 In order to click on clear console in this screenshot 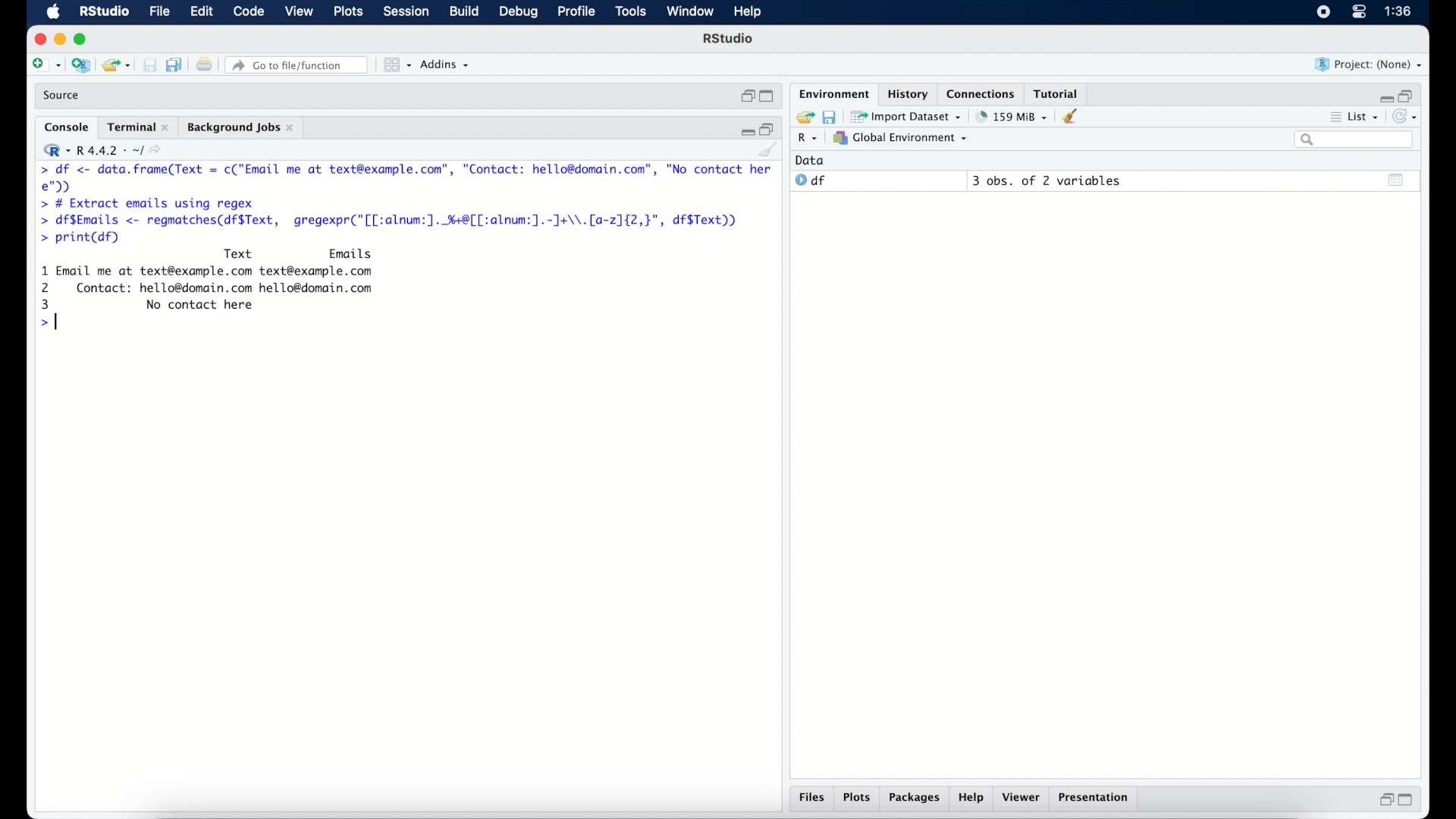, I will do `click(769, 151)`.